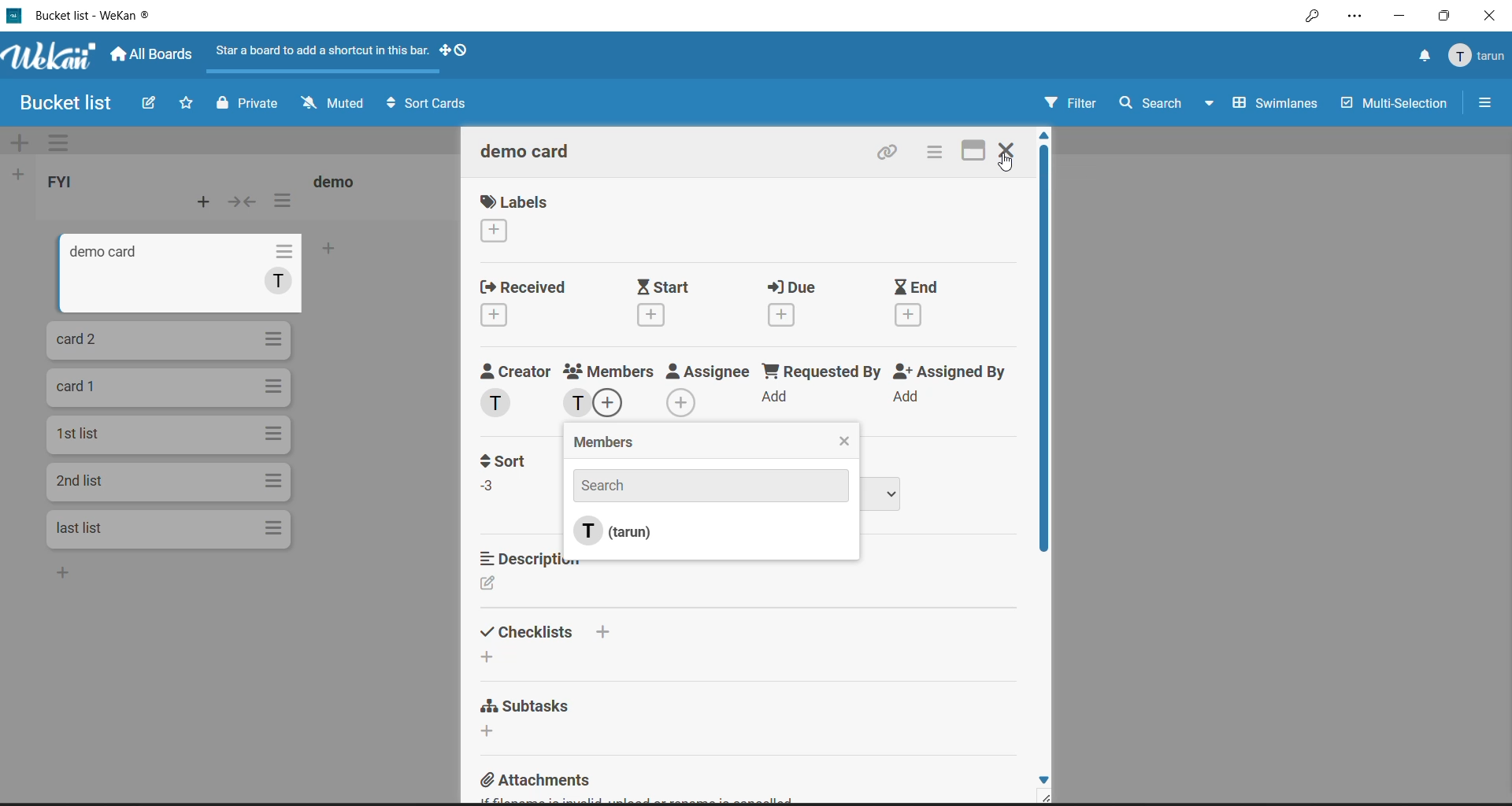 This screenshot has width=1512, height=806. Describe the element at coordinates (1311, 17) in the screenshot. I see `key` at that location.